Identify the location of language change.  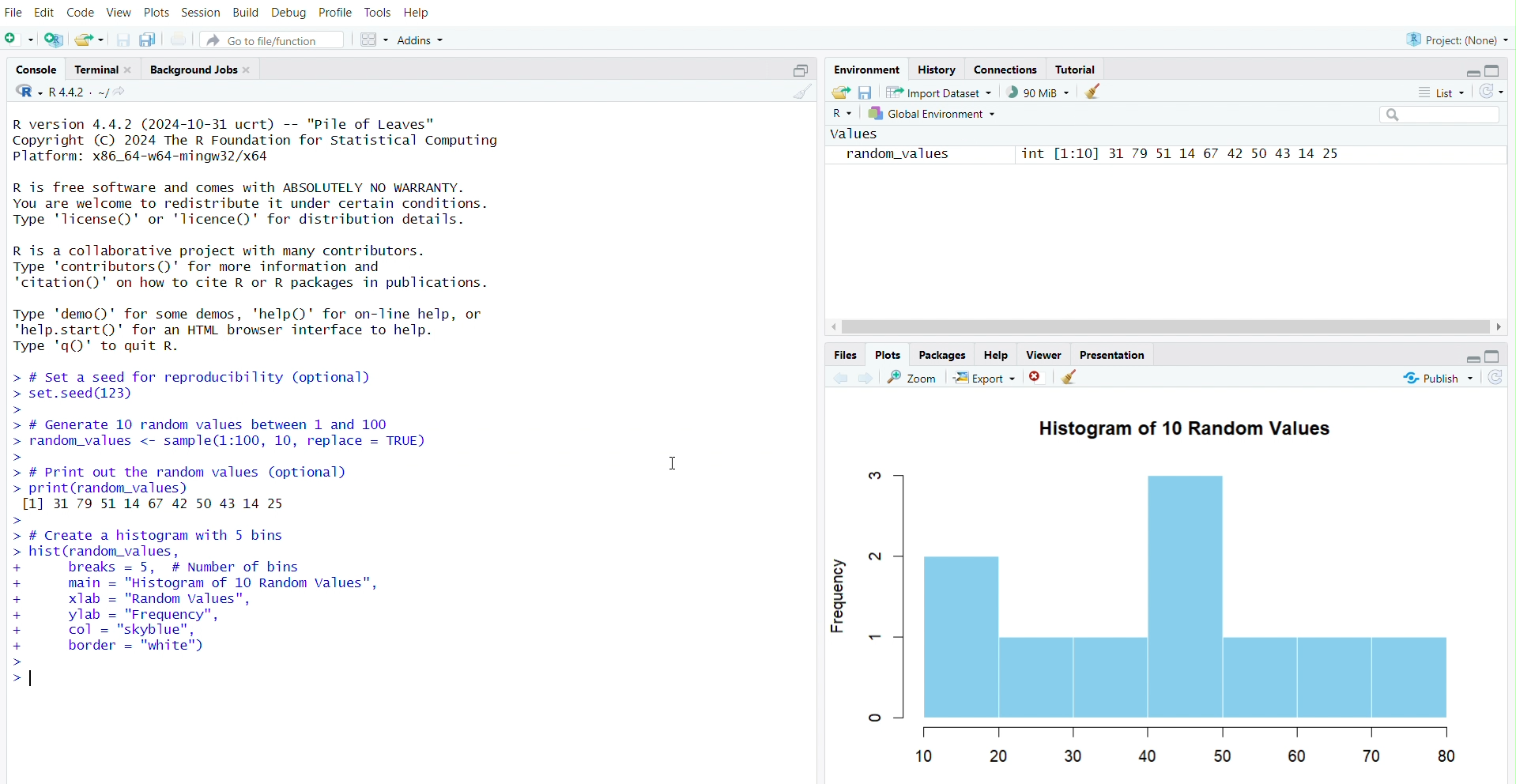
(23, 91).